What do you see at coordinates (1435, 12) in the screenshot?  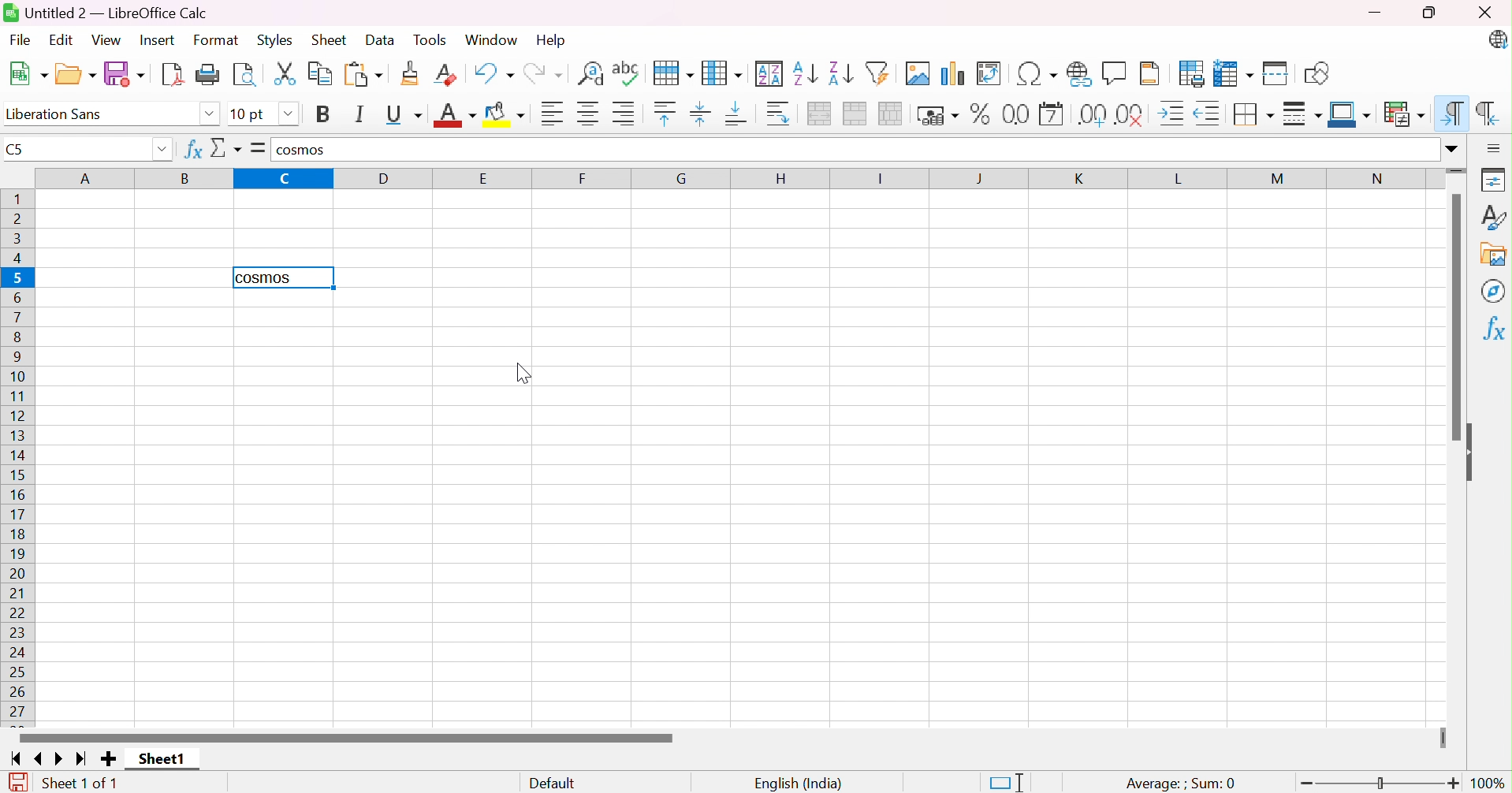 I see `Restore Down` at bounding box center [1435, 12].